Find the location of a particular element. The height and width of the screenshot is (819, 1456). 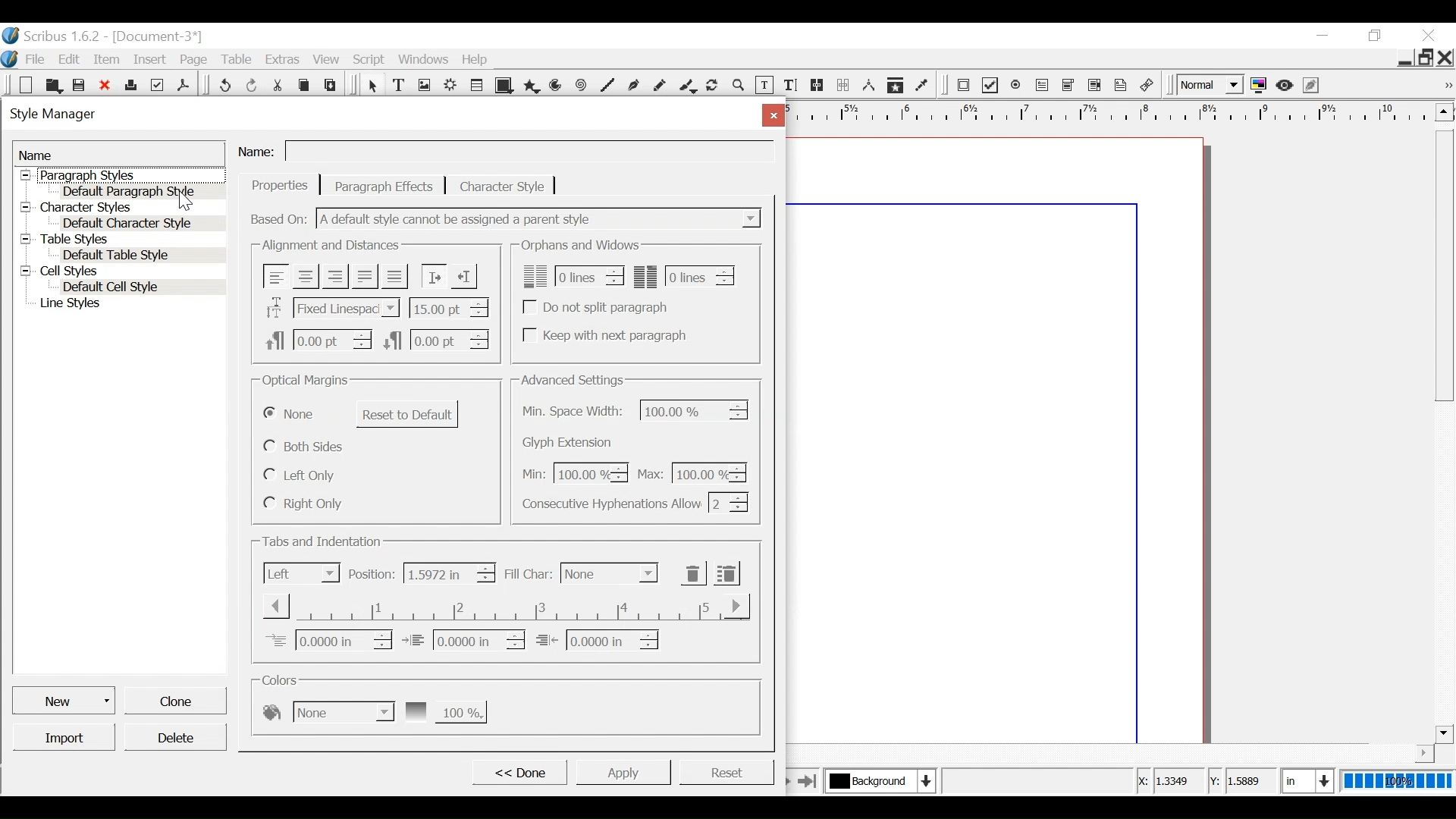

Delete all tabular is located at coordinates (726, 573).